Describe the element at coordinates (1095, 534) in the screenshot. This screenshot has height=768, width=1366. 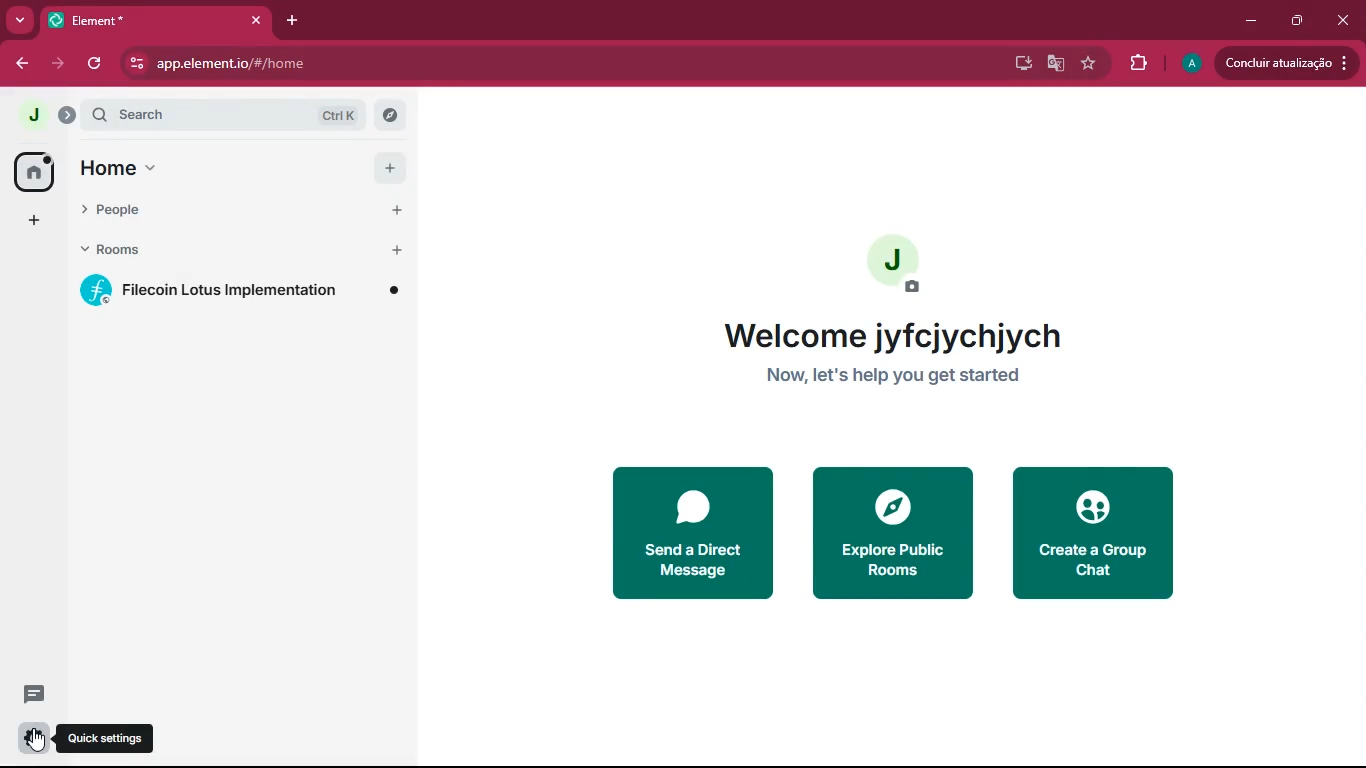
I see `create a group chat` at that location.